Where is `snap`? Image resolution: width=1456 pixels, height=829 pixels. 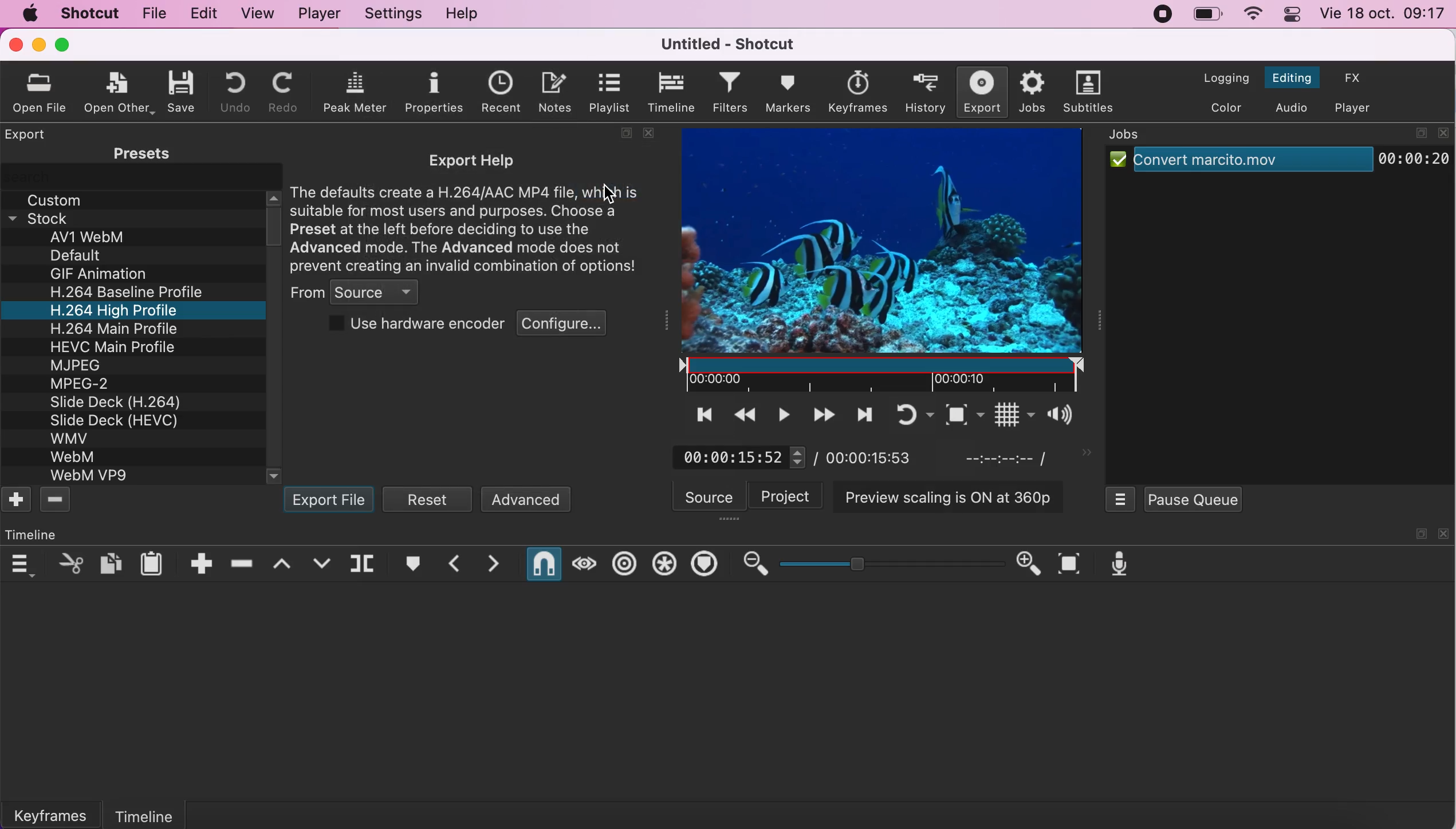 snap is located at coordinates (541, 564).